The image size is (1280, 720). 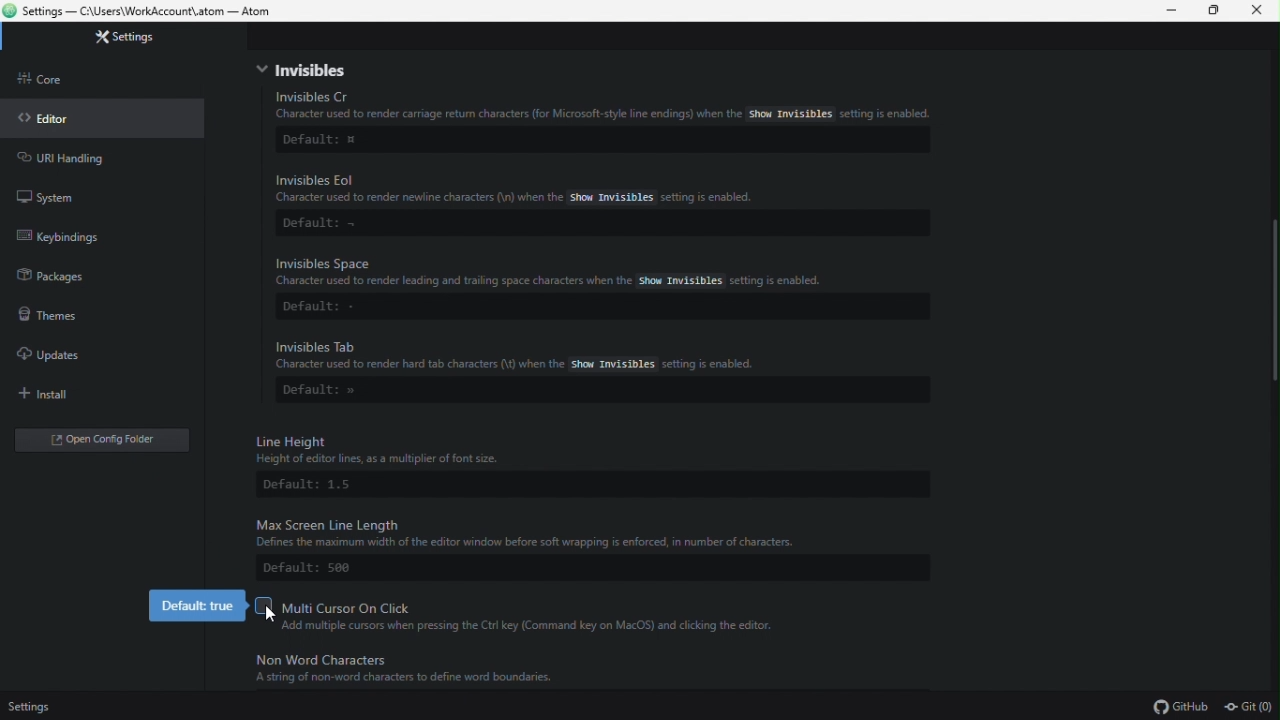 I want to click on Non Word Characters
A string of non-word characters to define word boundaries., so click(x=480, y=673).